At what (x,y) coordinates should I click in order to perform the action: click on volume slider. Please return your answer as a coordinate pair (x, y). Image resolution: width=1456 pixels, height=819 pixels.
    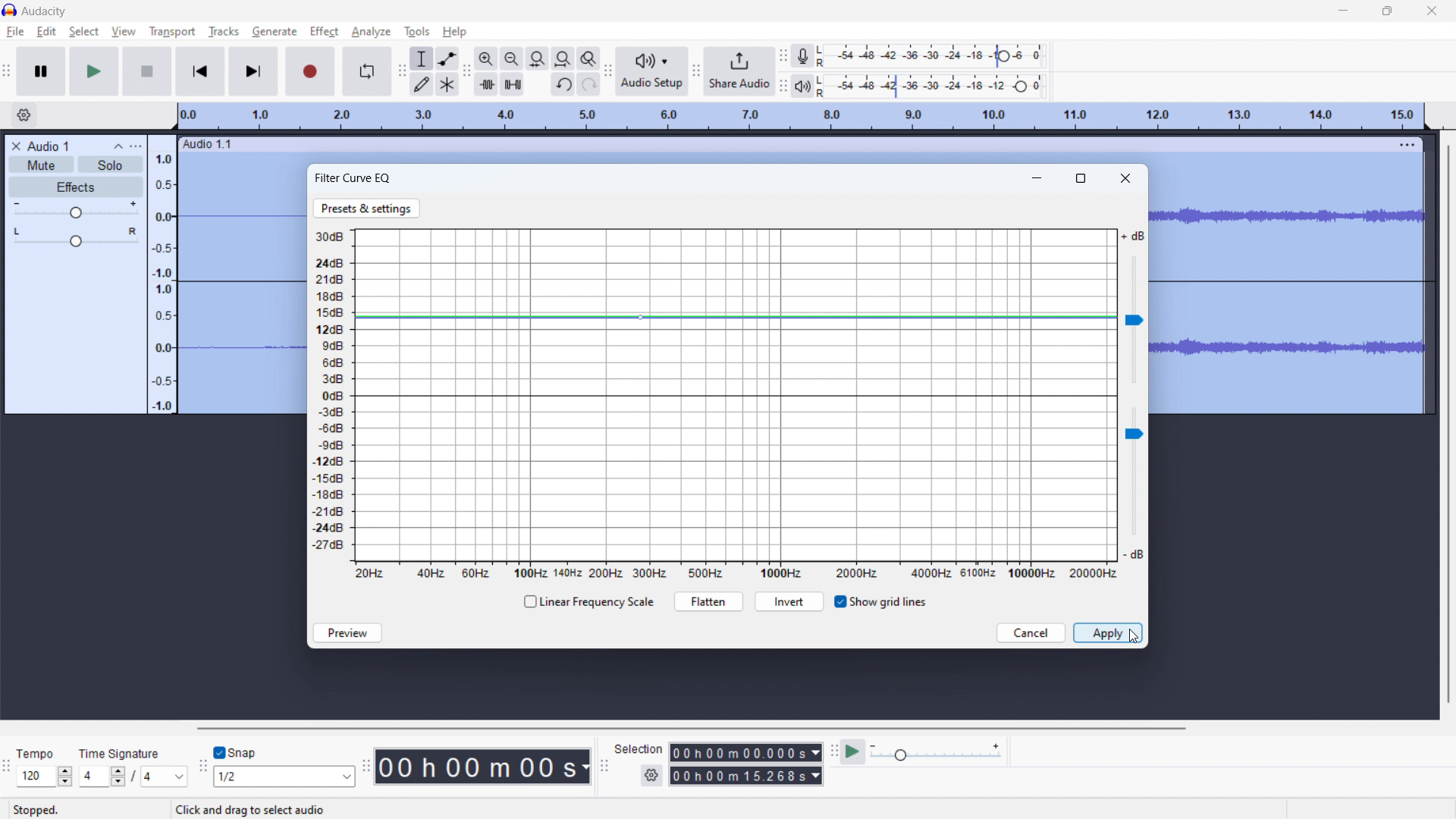
    Looking at the image, I should click on (1134, 308).